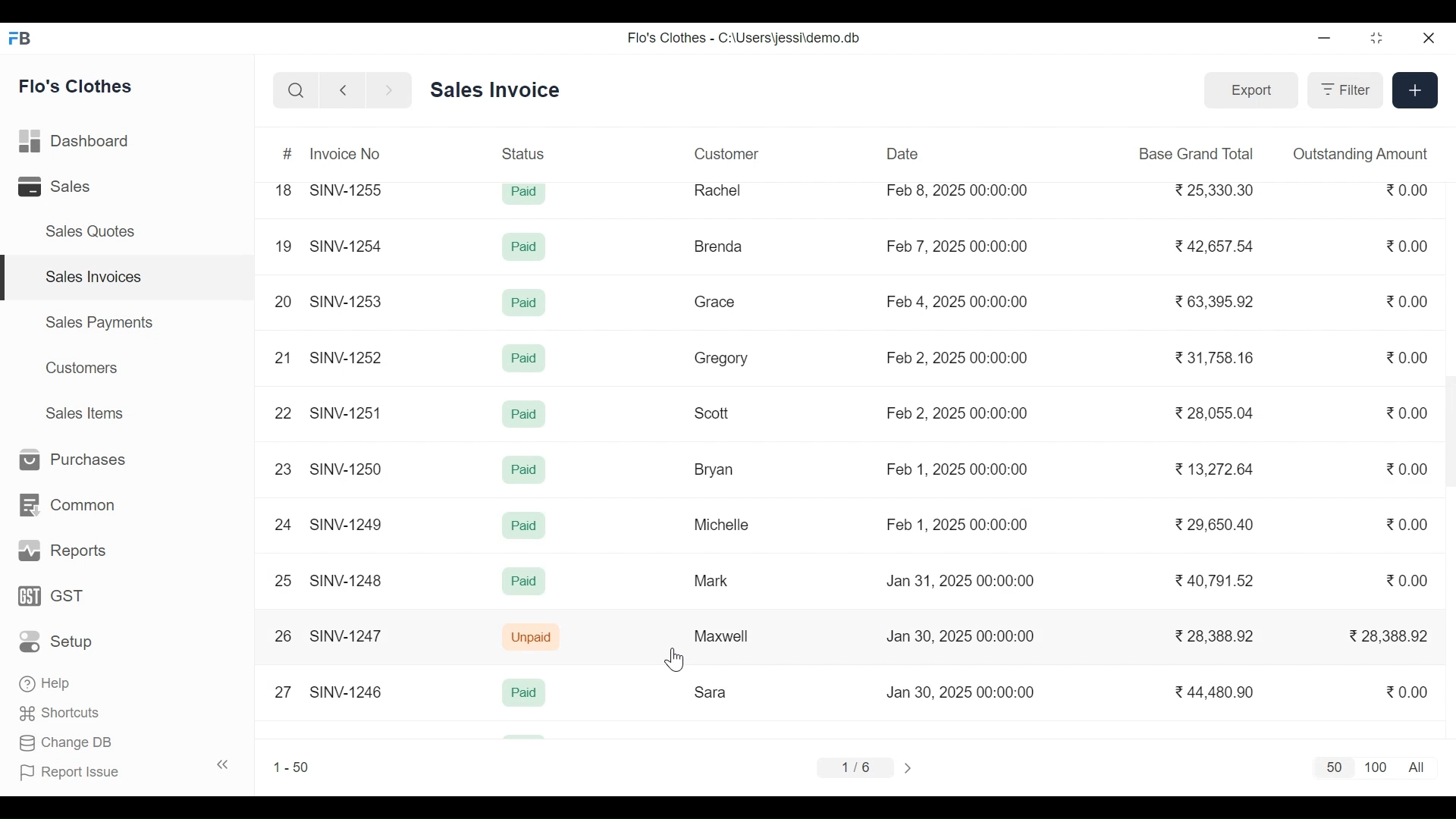 Image resolution: width=1456 pixels, height=819 pixels. What do you see at coordinates (284, 190) in the screenshot?
I see `18` at bounding box center [284, 190].